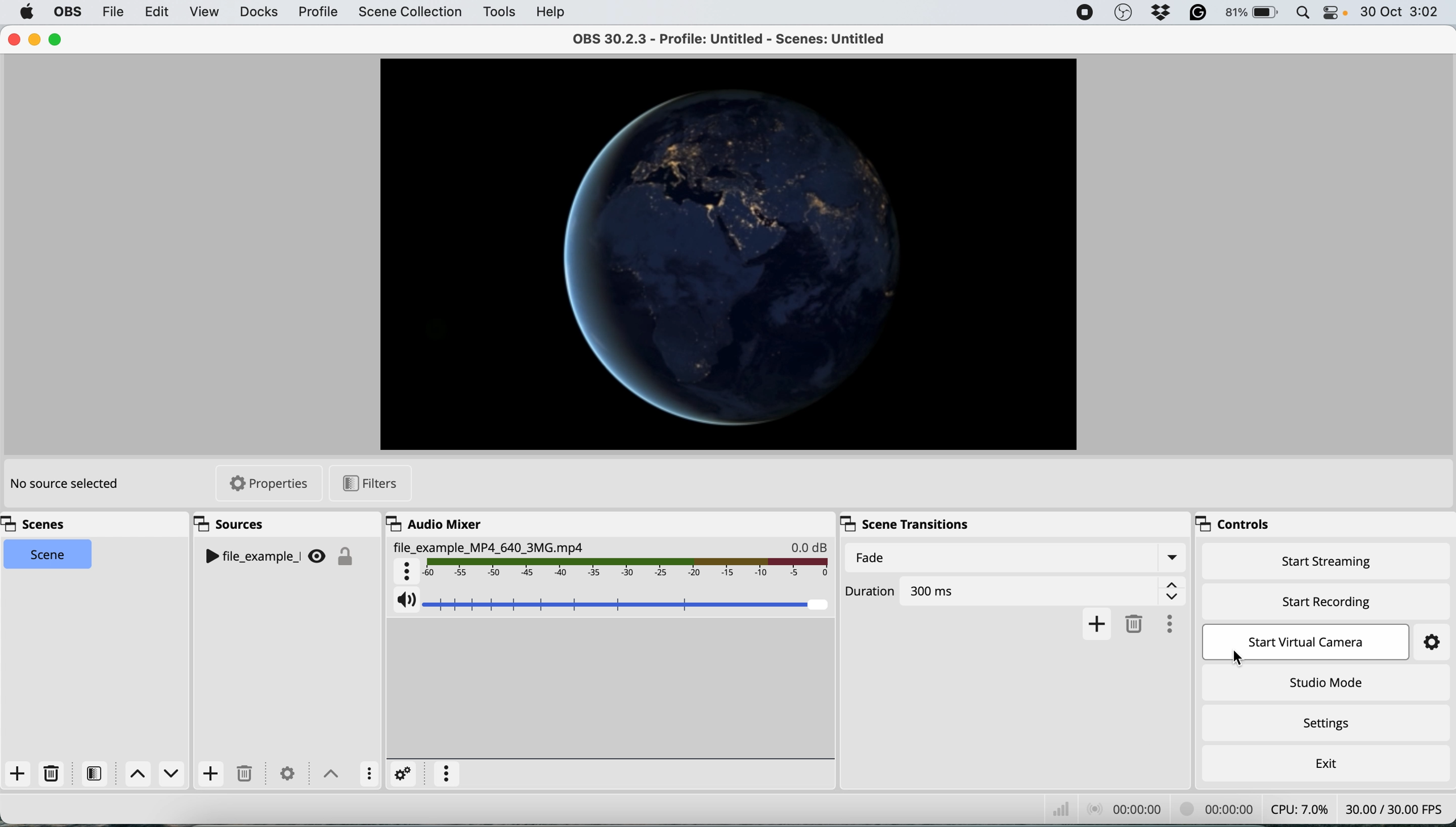 The image size is (1456, 827). I want to click on scene transitions, so click(904, 523).